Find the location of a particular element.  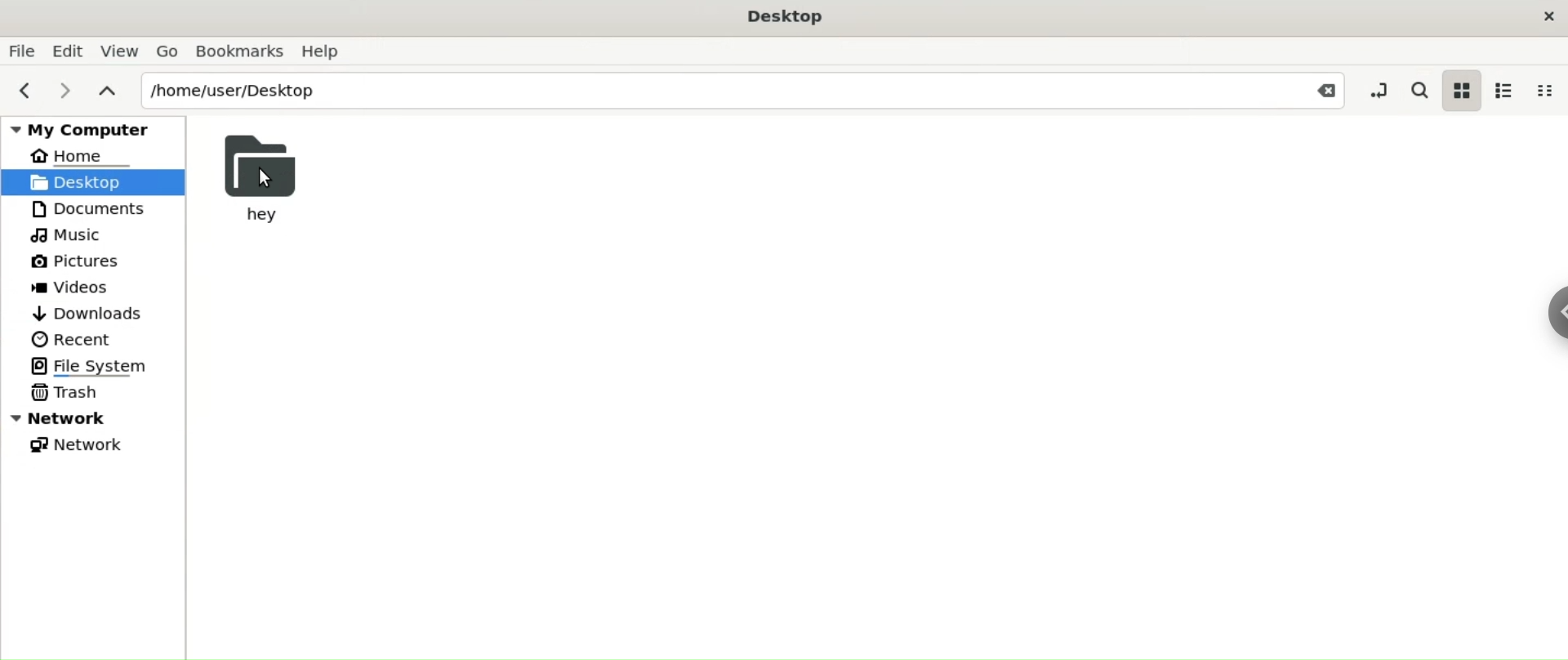

Network is located at coordinates (75, 444).